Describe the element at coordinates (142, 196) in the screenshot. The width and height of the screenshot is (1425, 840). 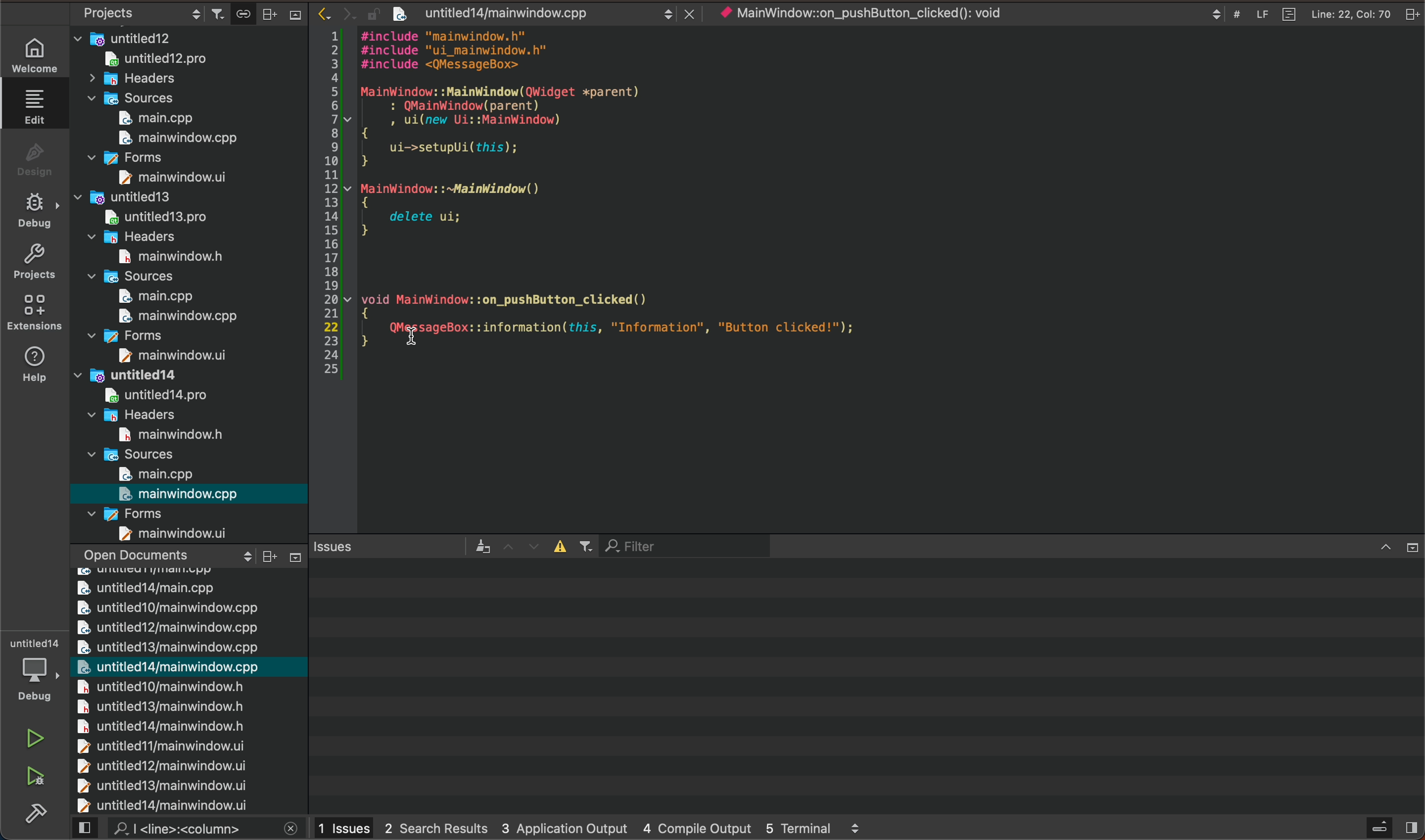
I see `untitled13` at that location.